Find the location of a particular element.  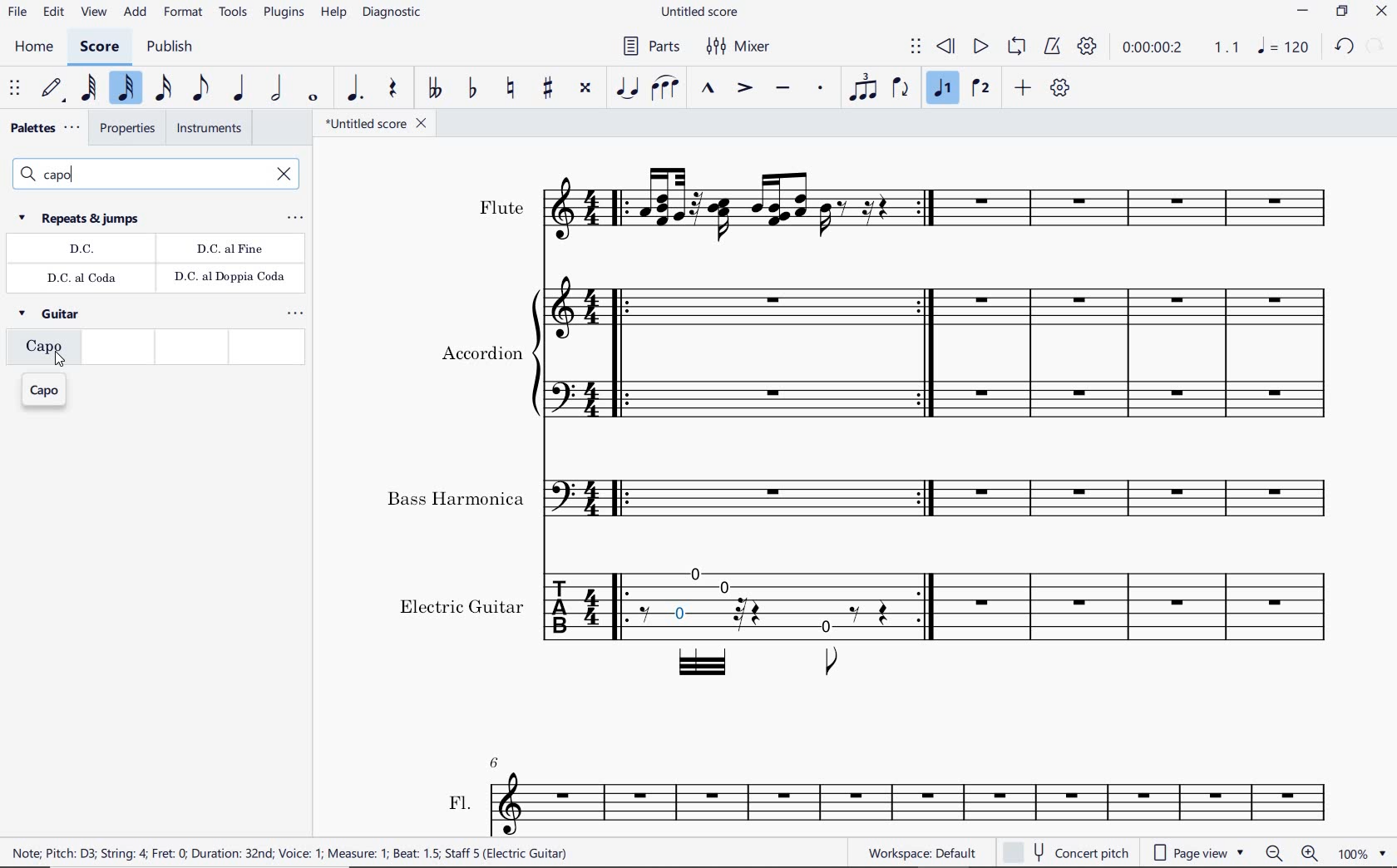

score is located at coordinates (100, 47).